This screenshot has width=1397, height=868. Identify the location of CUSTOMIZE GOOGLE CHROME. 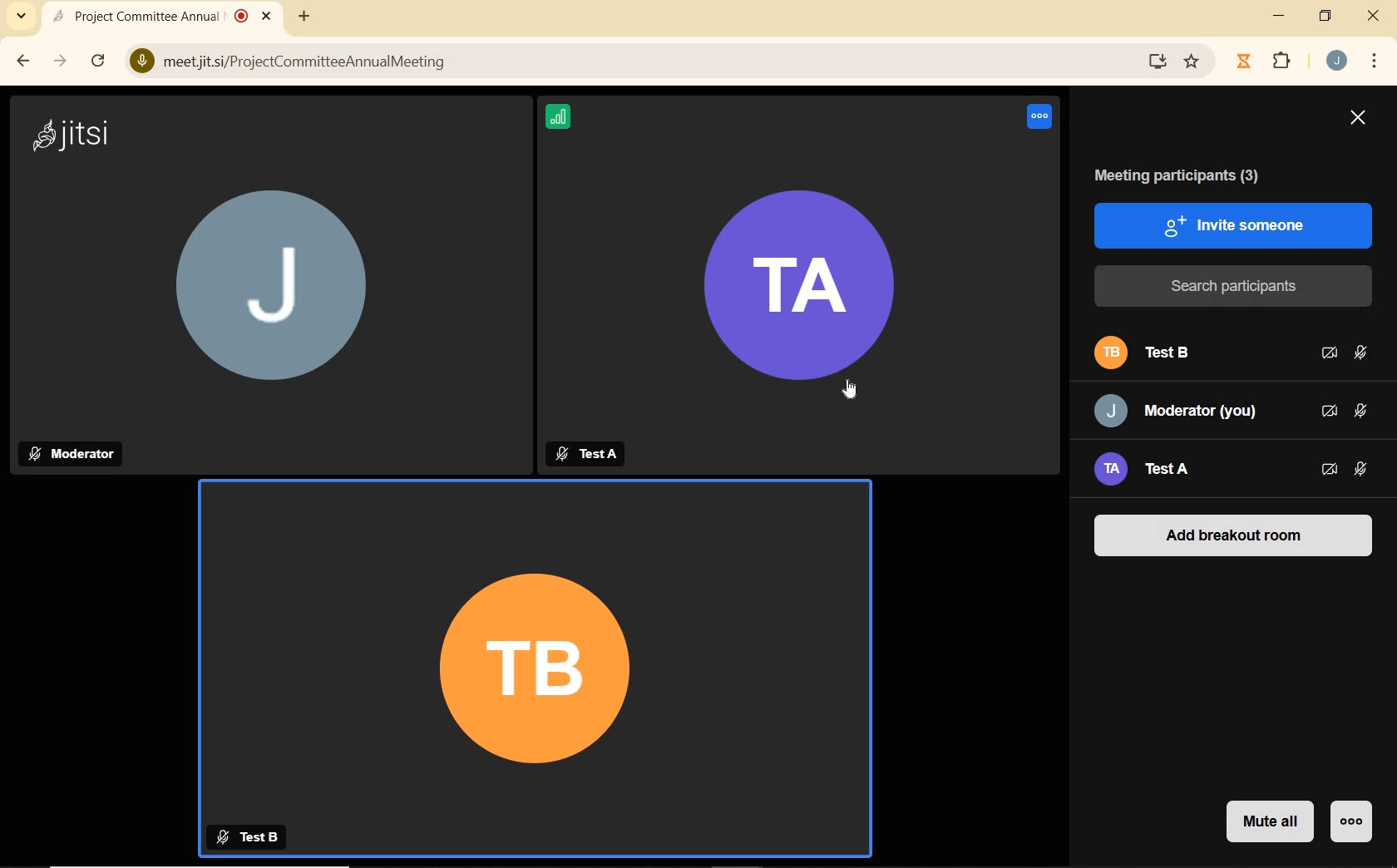
(1379, 63).